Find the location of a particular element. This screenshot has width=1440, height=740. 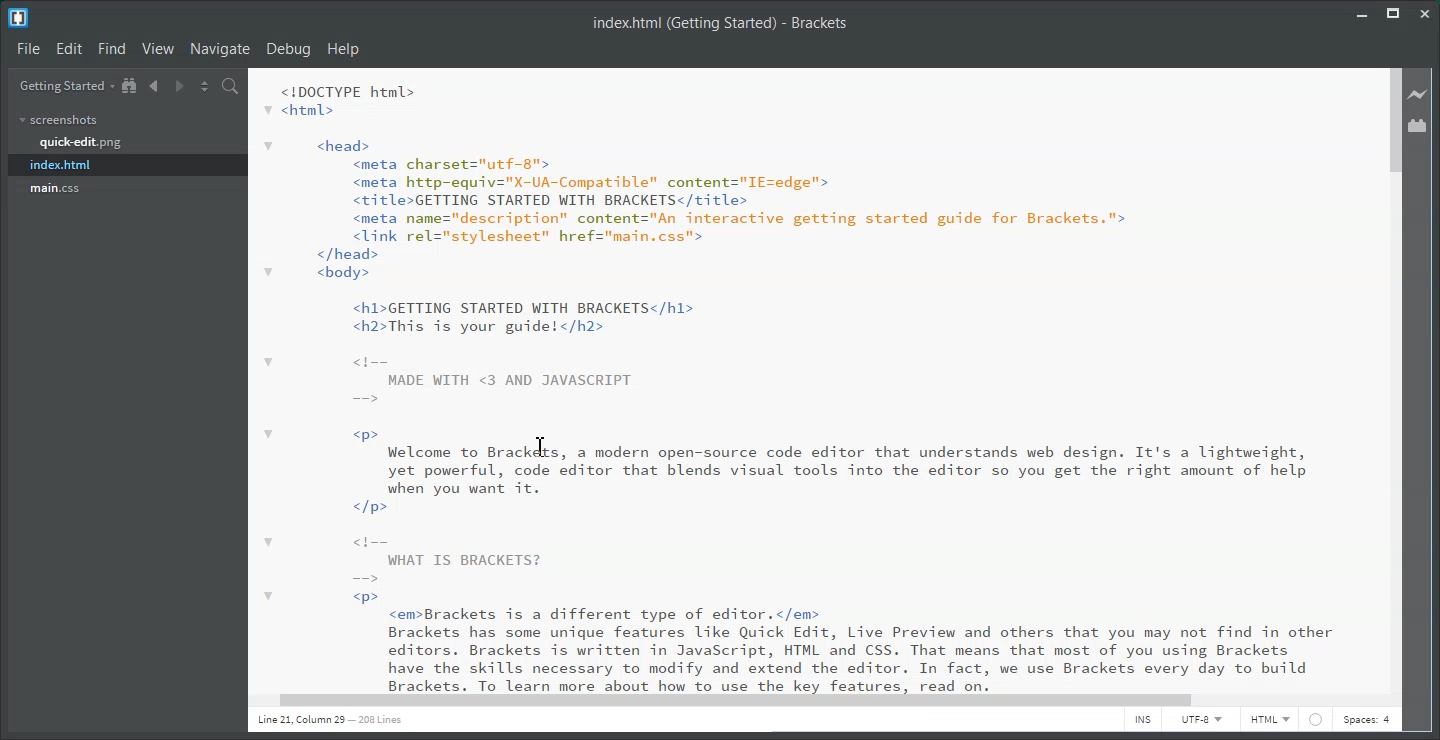

Debug is located at coordinates (288, 49).